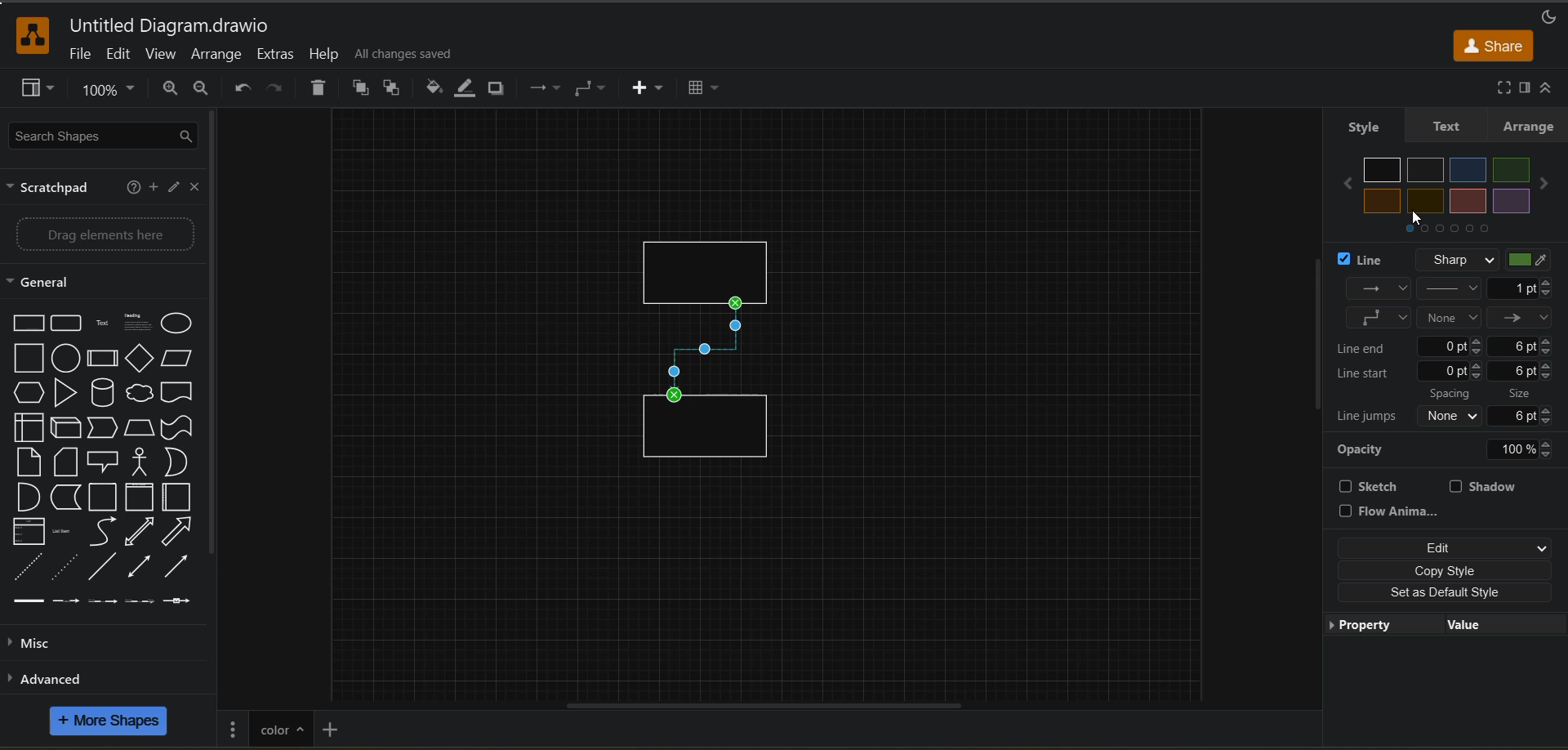  What do you see at coordinates (66, 428) in the screenshot?
I see `Cube` at bounding box center [66, 428].